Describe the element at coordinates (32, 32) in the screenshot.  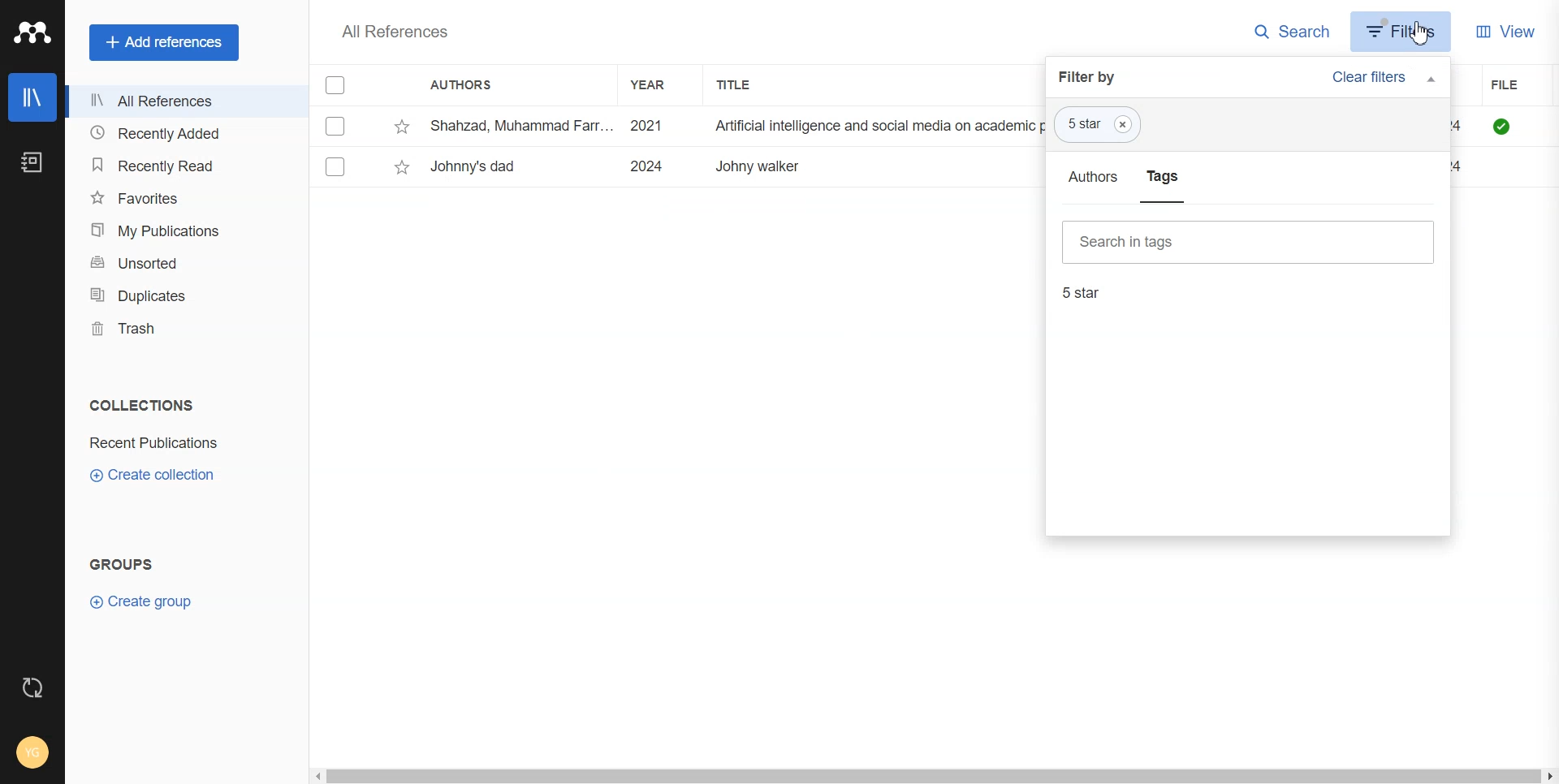
I see `Logo` at that location.